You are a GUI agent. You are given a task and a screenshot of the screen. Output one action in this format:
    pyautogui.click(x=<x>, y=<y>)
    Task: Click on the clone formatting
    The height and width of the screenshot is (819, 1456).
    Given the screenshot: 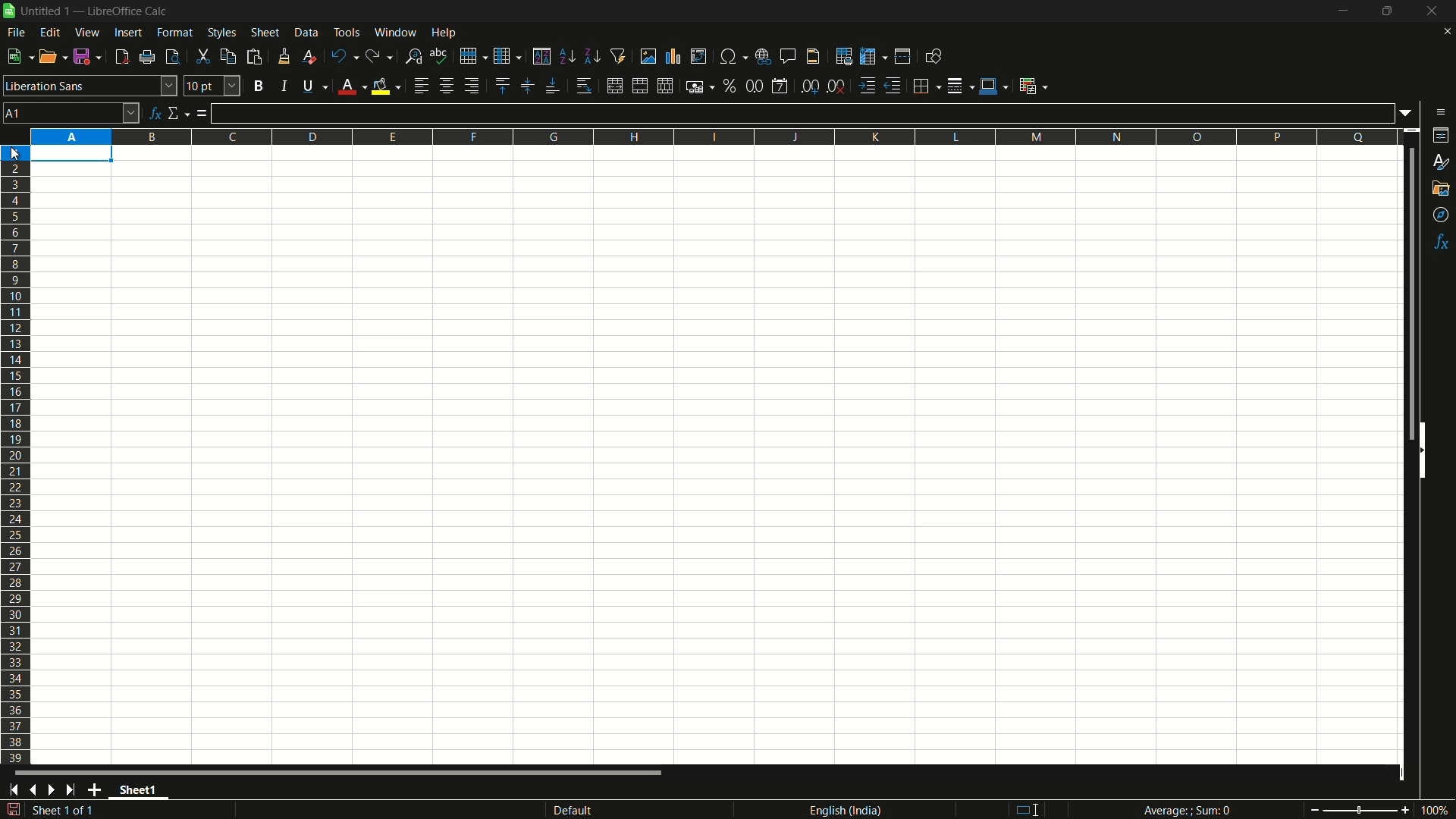 What is the action you would take?
    pyautogui.click(x=284, y=56)
    